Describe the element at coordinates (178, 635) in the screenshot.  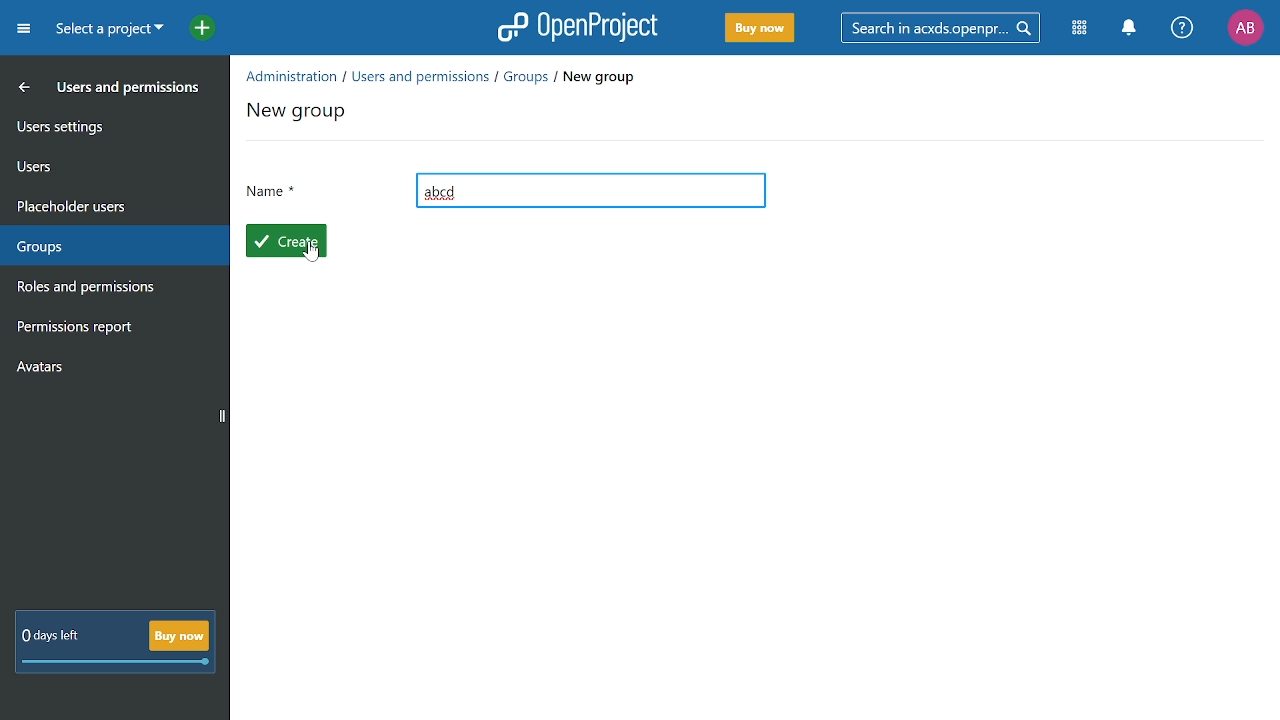
I see `Buy now` at that location.